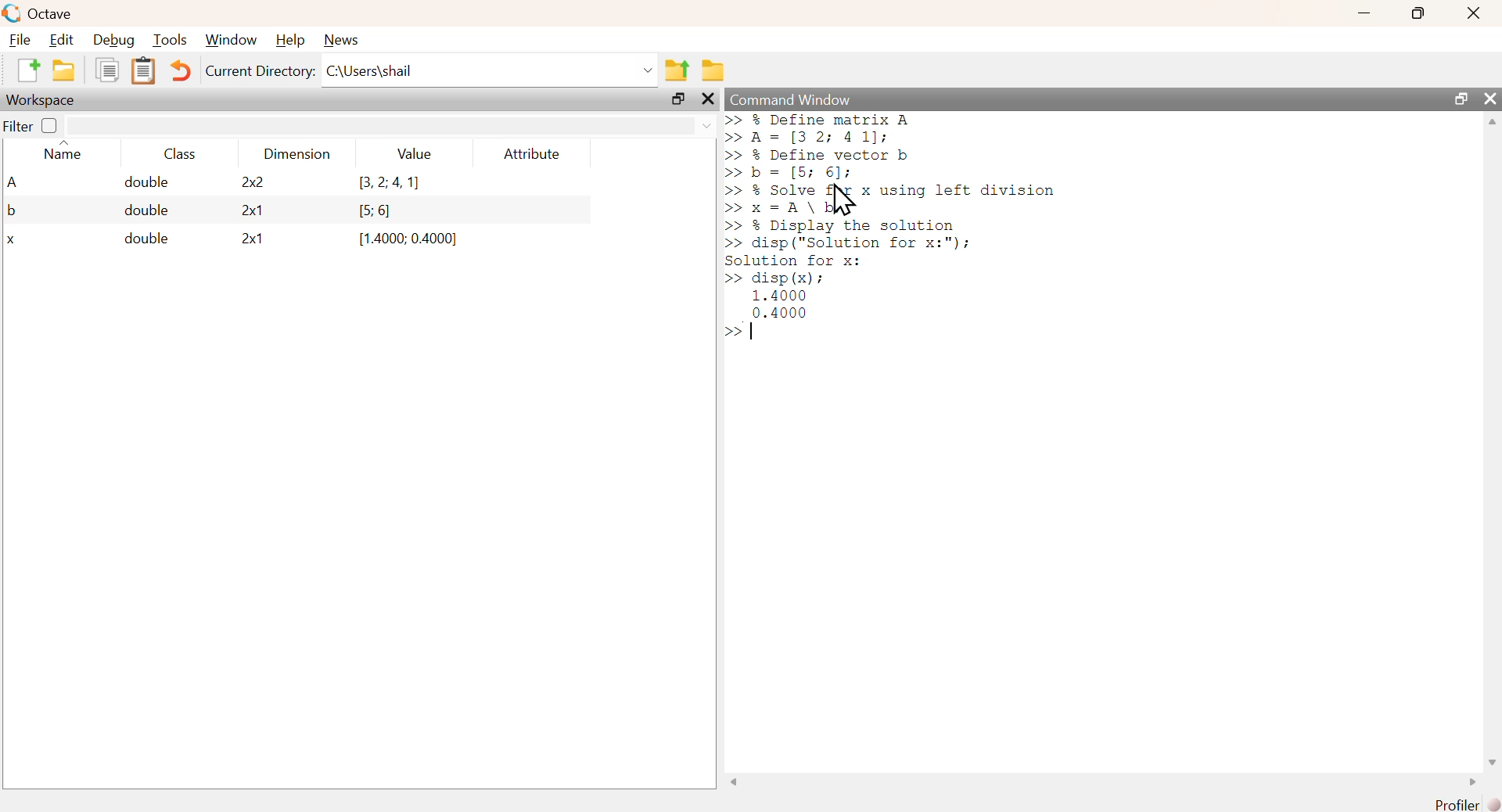 The image size is (1502, 812). I want to click on close, so click(706, 100).